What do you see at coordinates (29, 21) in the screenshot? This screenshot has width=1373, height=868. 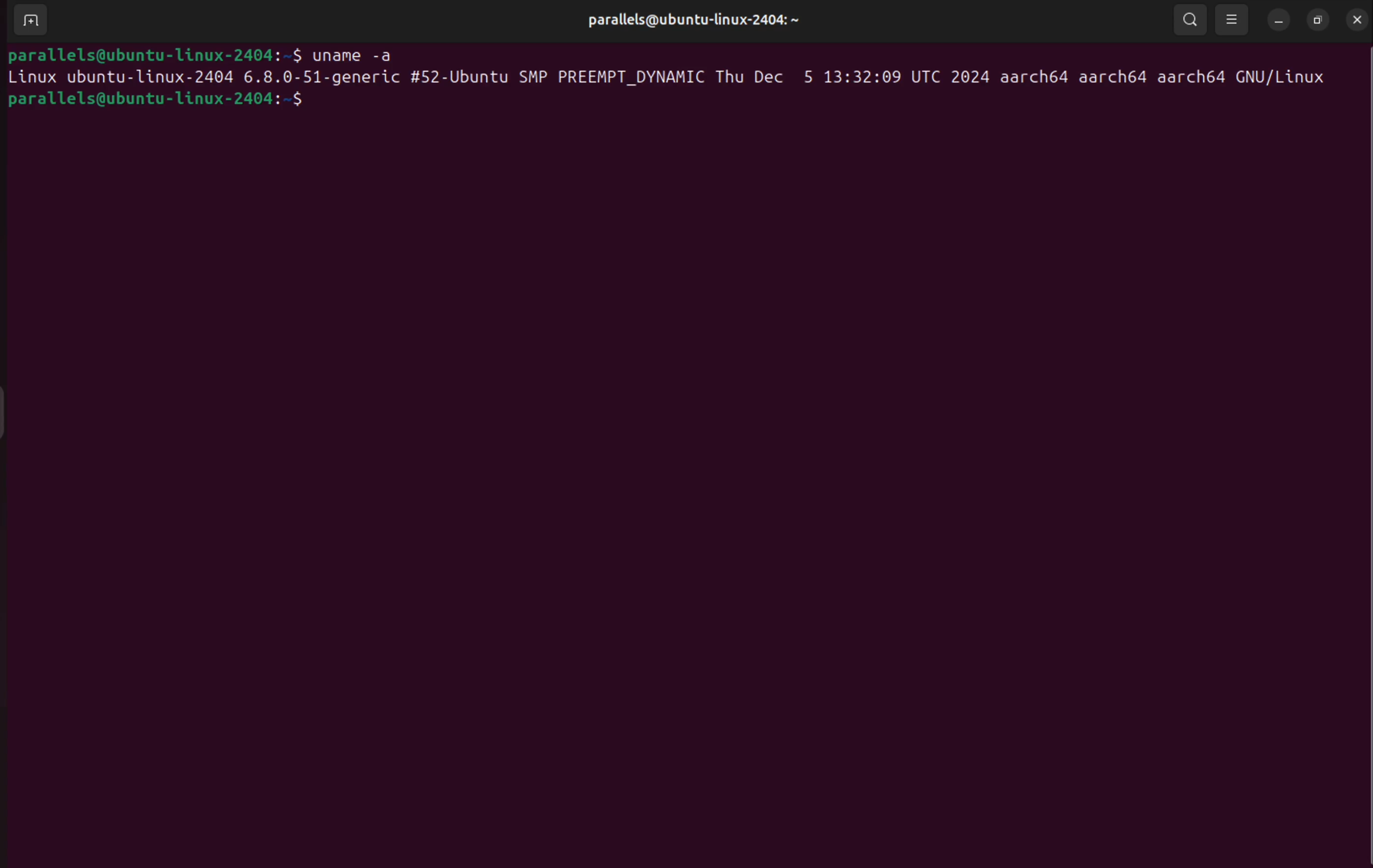 I see `add terminal` at bounding box center [29, 21].